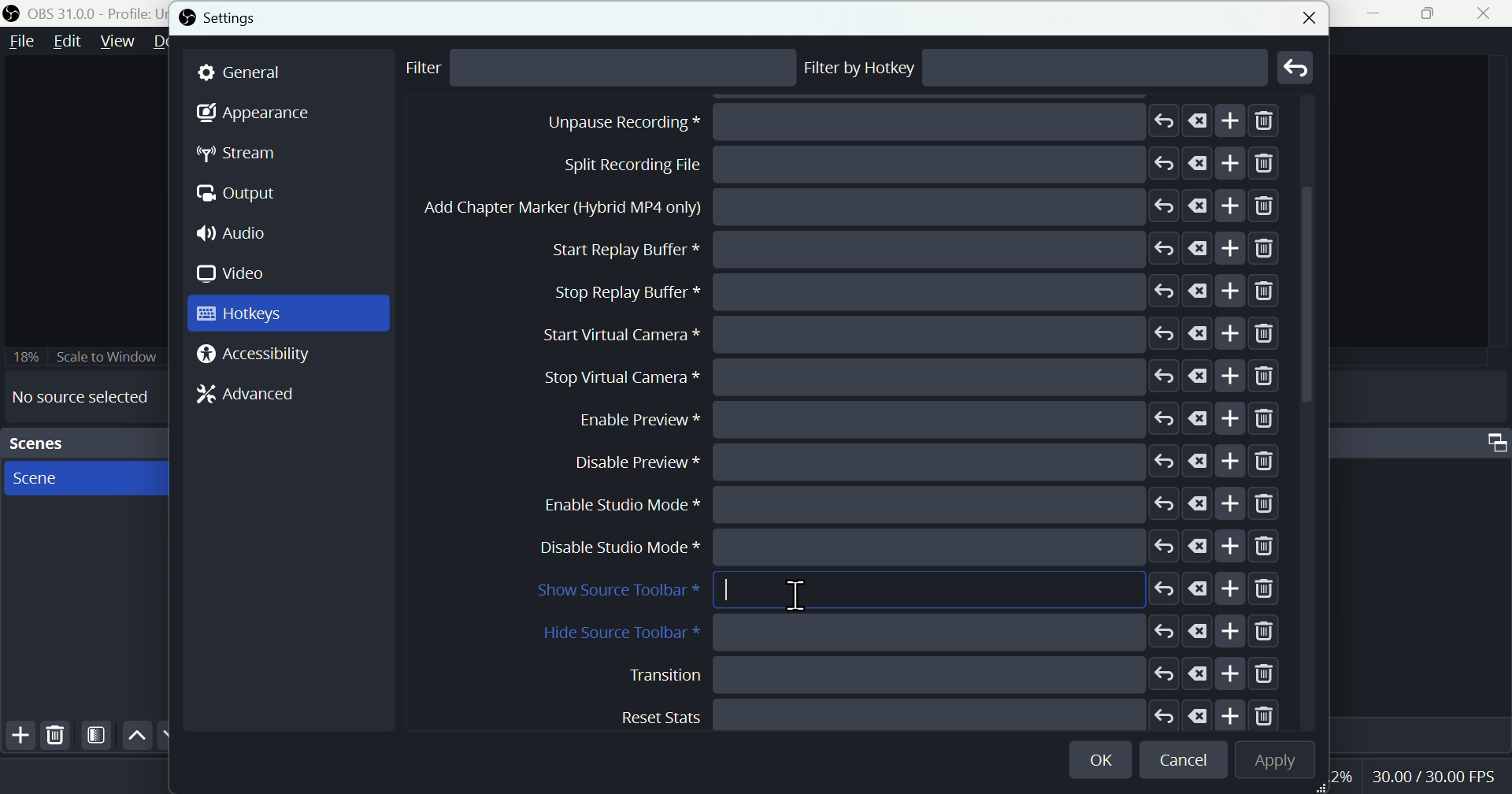 This screenshot has height=794, width=1512. What do you see at coordinates (913, 332) in the screenshot?
I see `Split recording file` at bounding box center [913, 332].